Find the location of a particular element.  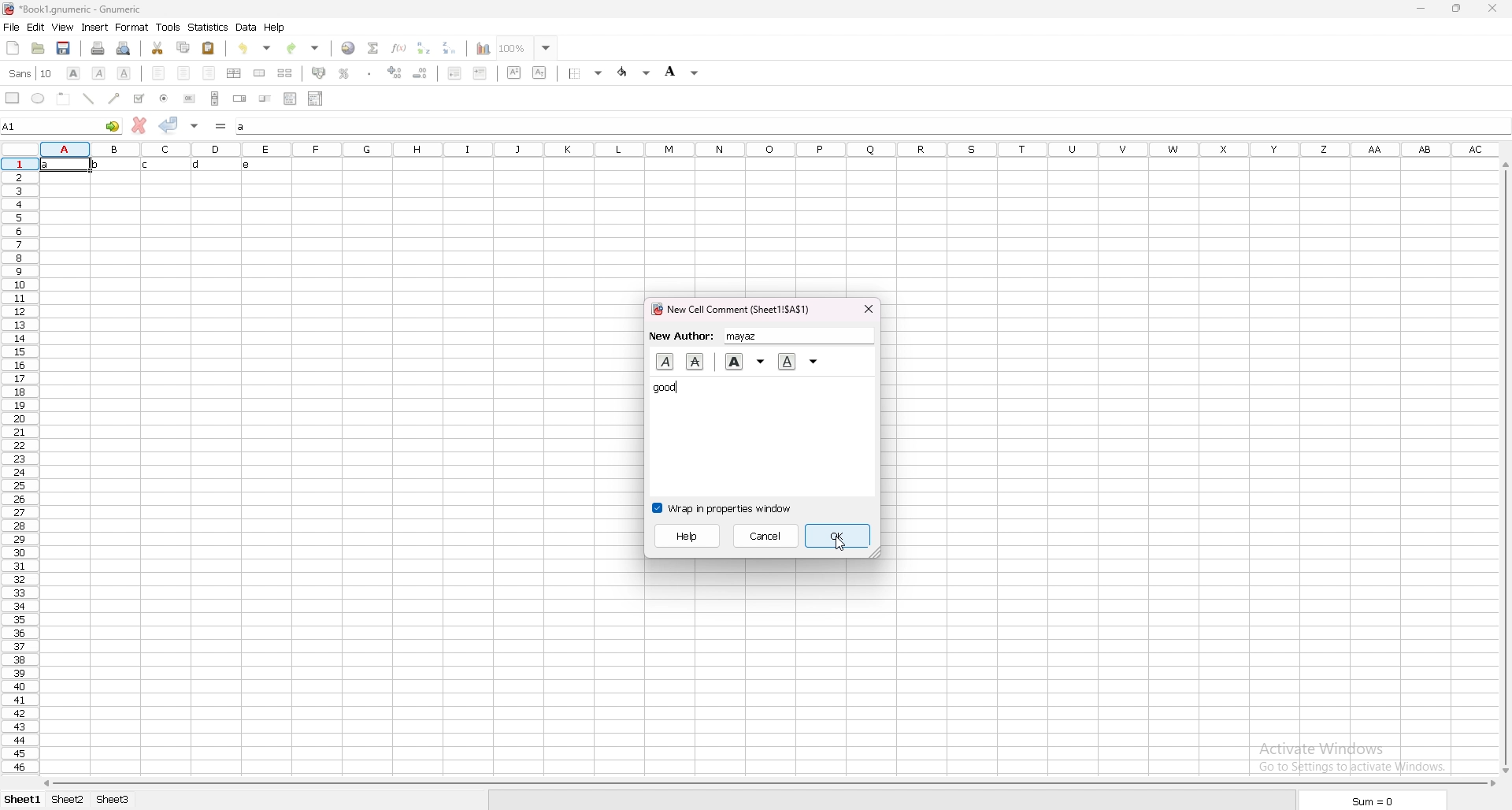

right align is located at coordinates (209, 73).